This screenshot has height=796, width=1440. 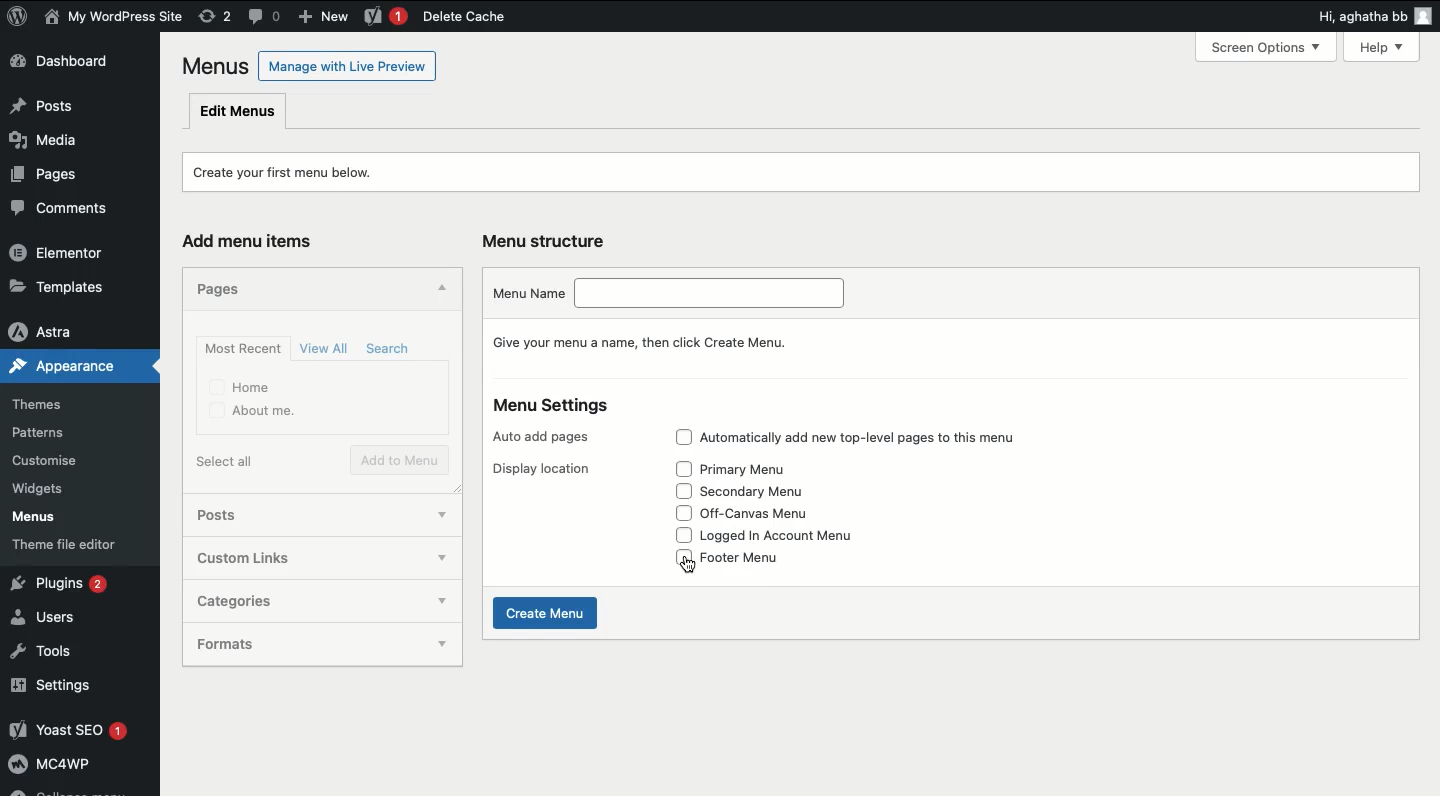 I want to click on Menu structure, so click(x=548, y=239).